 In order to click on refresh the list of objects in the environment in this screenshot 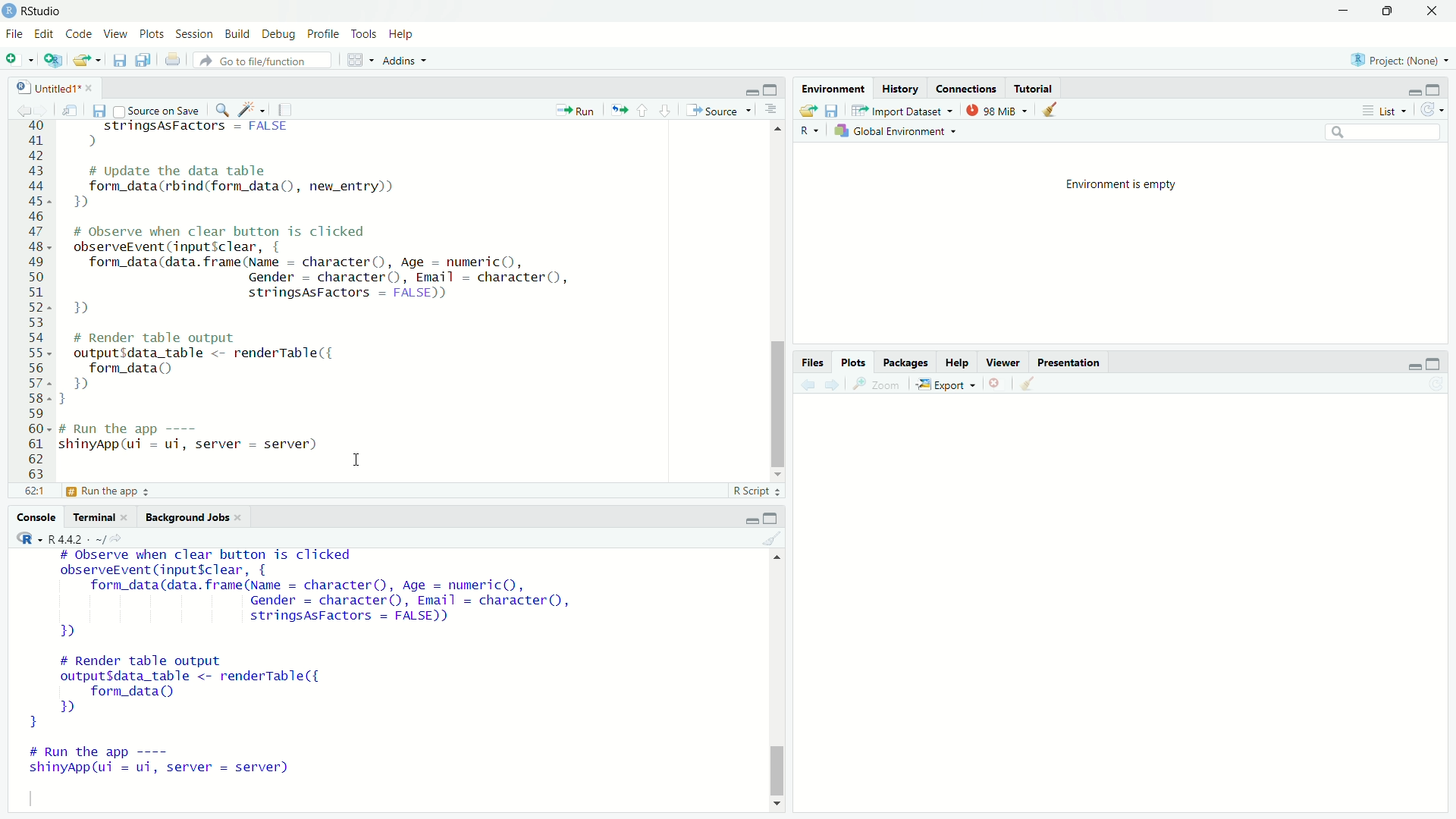, I will do `click(1438, 111)`.